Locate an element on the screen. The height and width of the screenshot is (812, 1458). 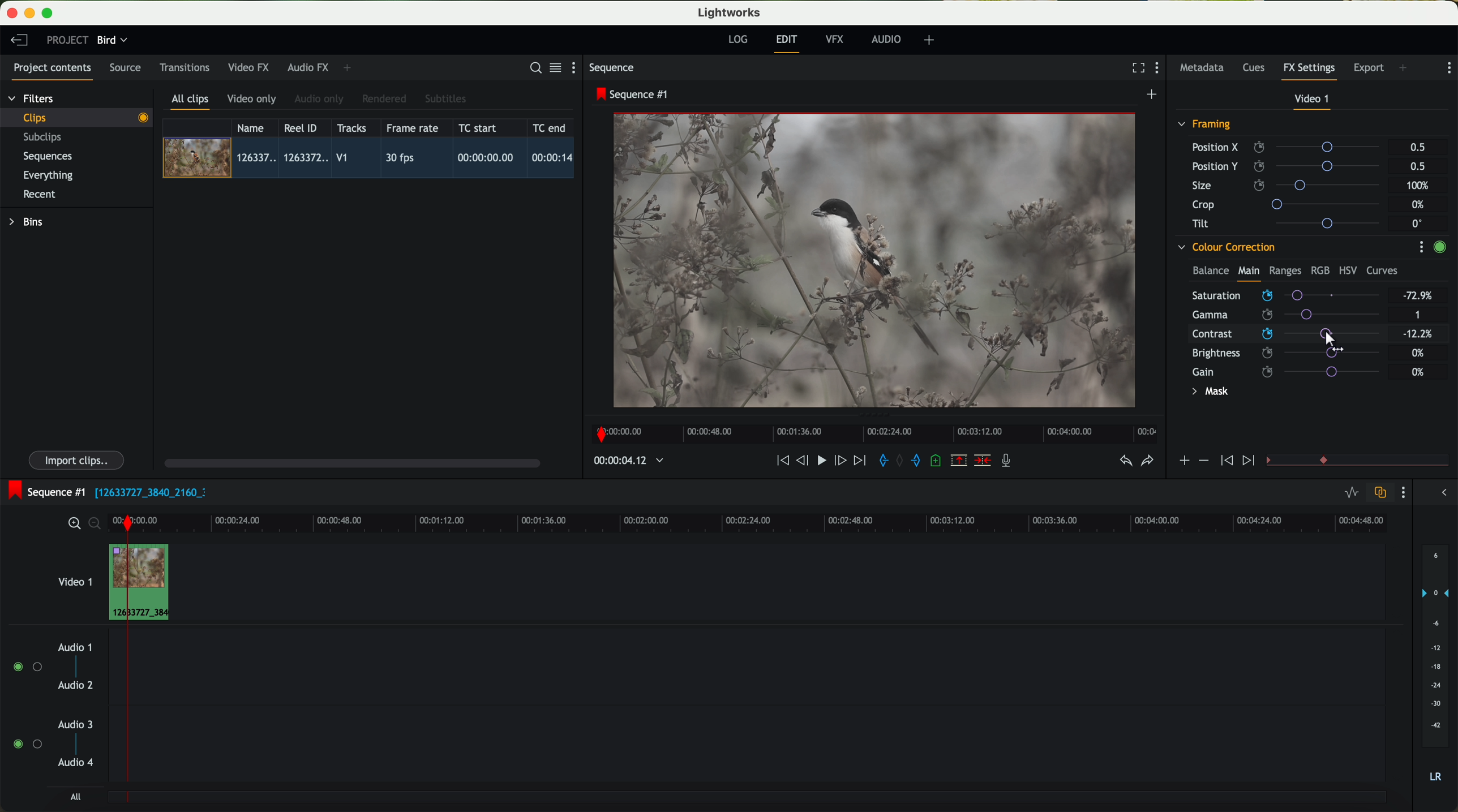
size is located at coordinates (1289, 186).